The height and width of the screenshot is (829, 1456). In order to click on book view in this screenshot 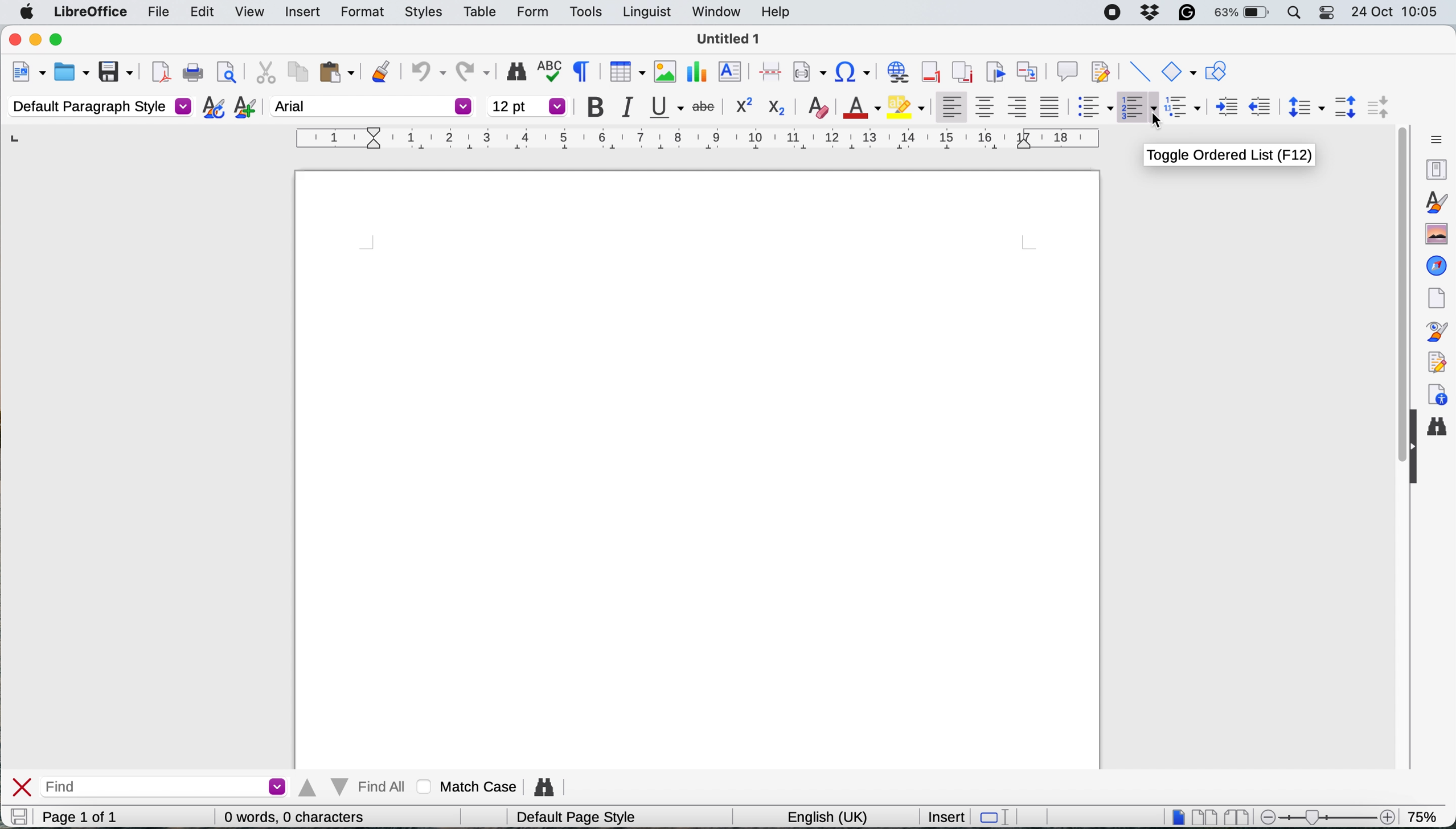, I will do `click(1239, 818)`.